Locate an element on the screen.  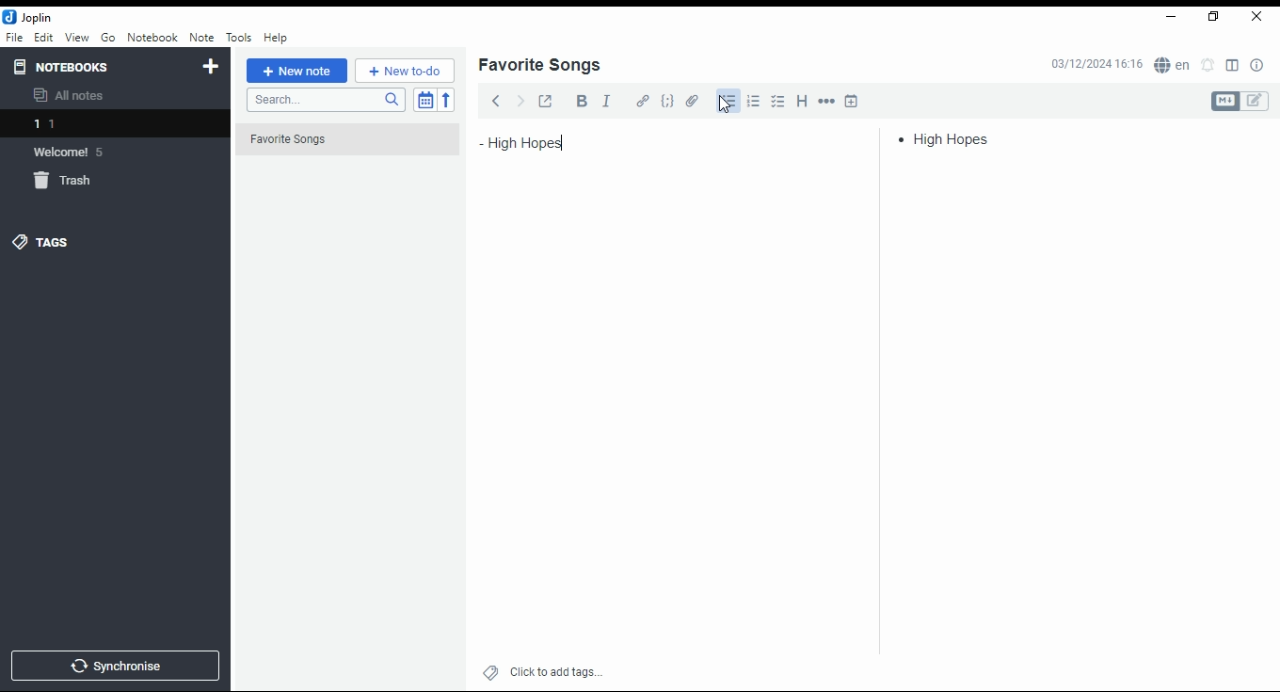
icon is located at coordinates (30, 17).